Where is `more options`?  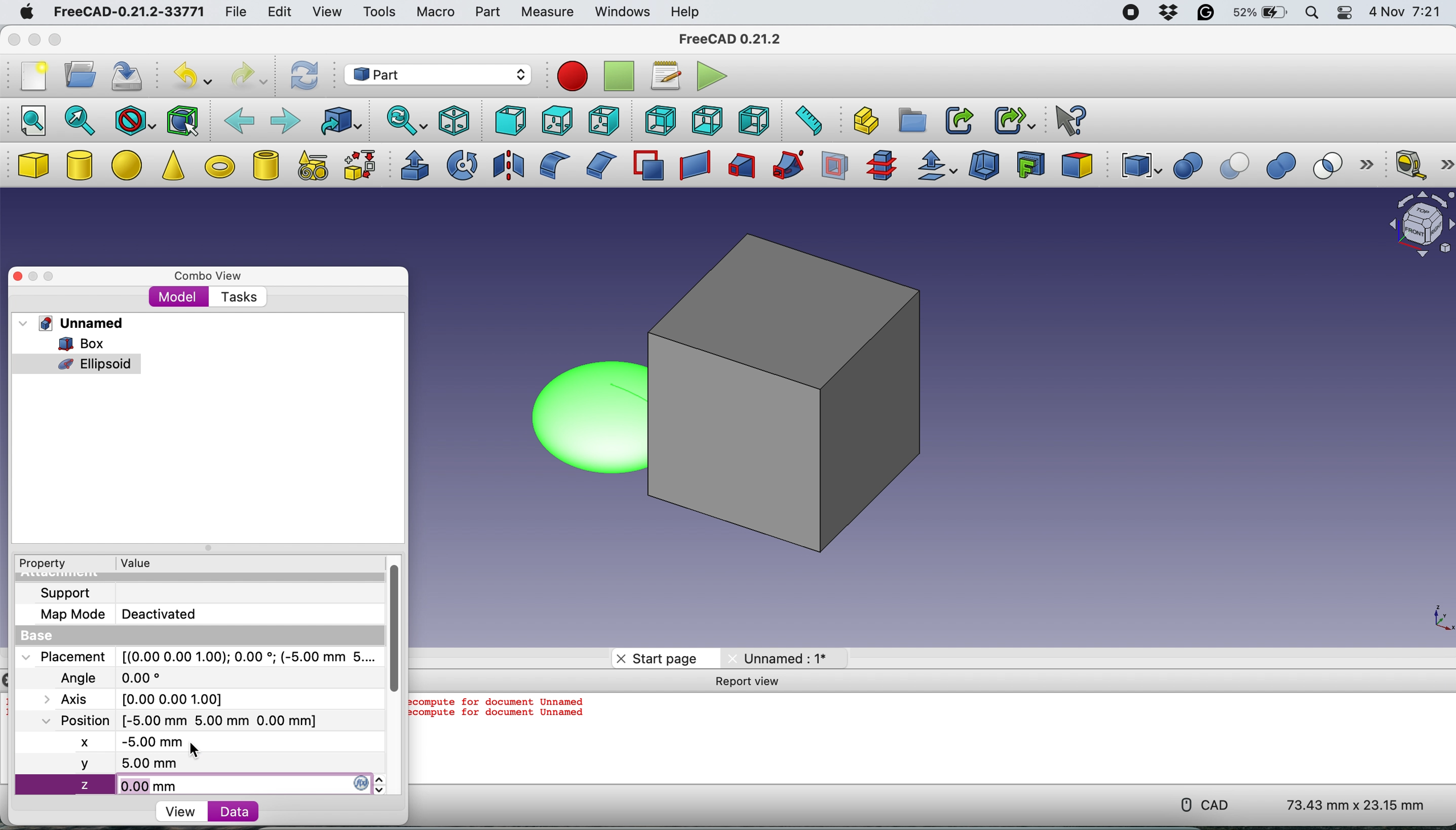 more options is located at coordinates (1447, 164).